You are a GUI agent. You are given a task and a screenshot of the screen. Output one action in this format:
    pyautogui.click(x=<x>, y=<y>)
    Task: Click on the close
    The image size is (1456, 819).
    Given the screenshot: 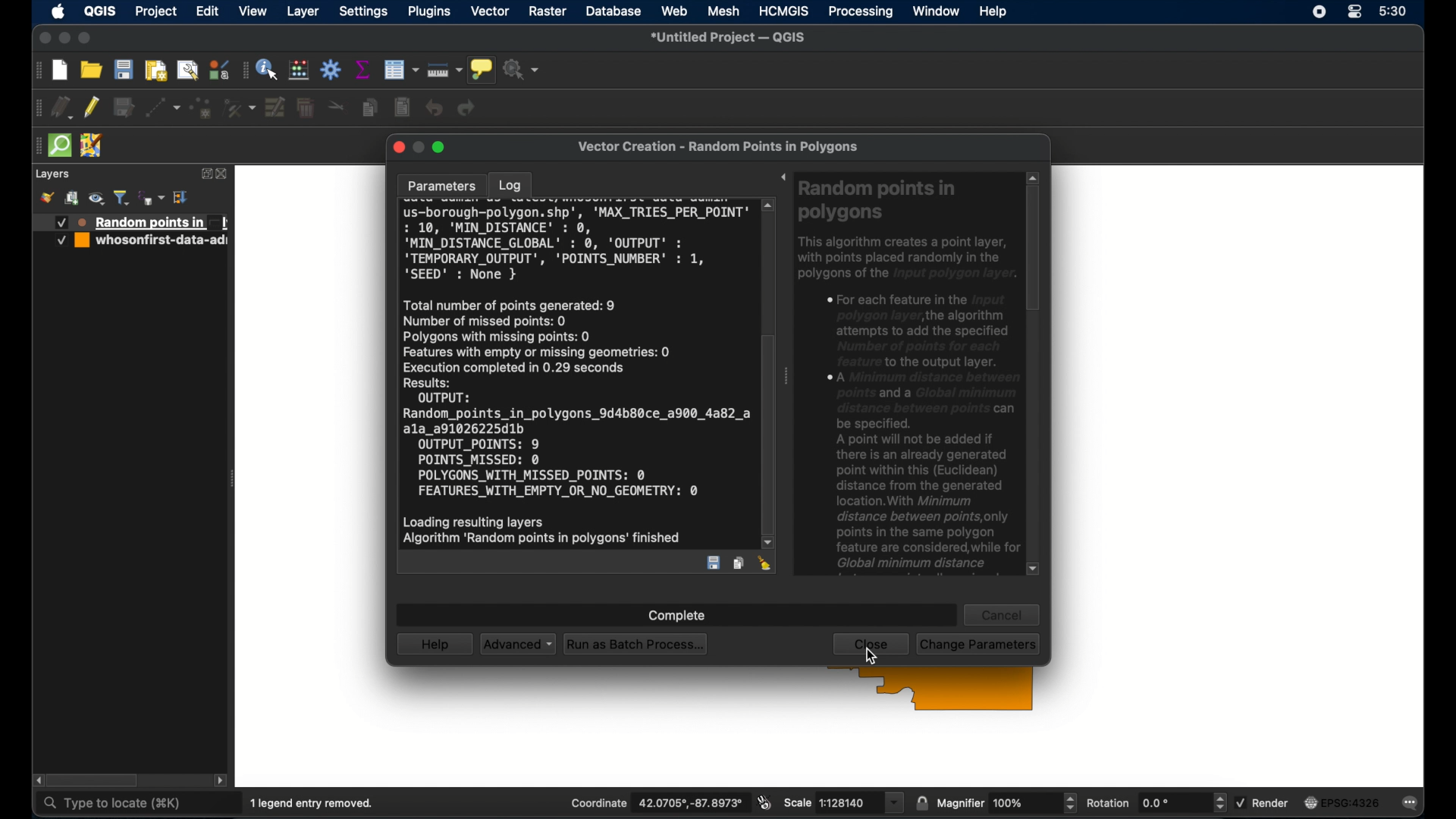 What is the action you would take?
    pyautogui.click(x=224, y=174)
    